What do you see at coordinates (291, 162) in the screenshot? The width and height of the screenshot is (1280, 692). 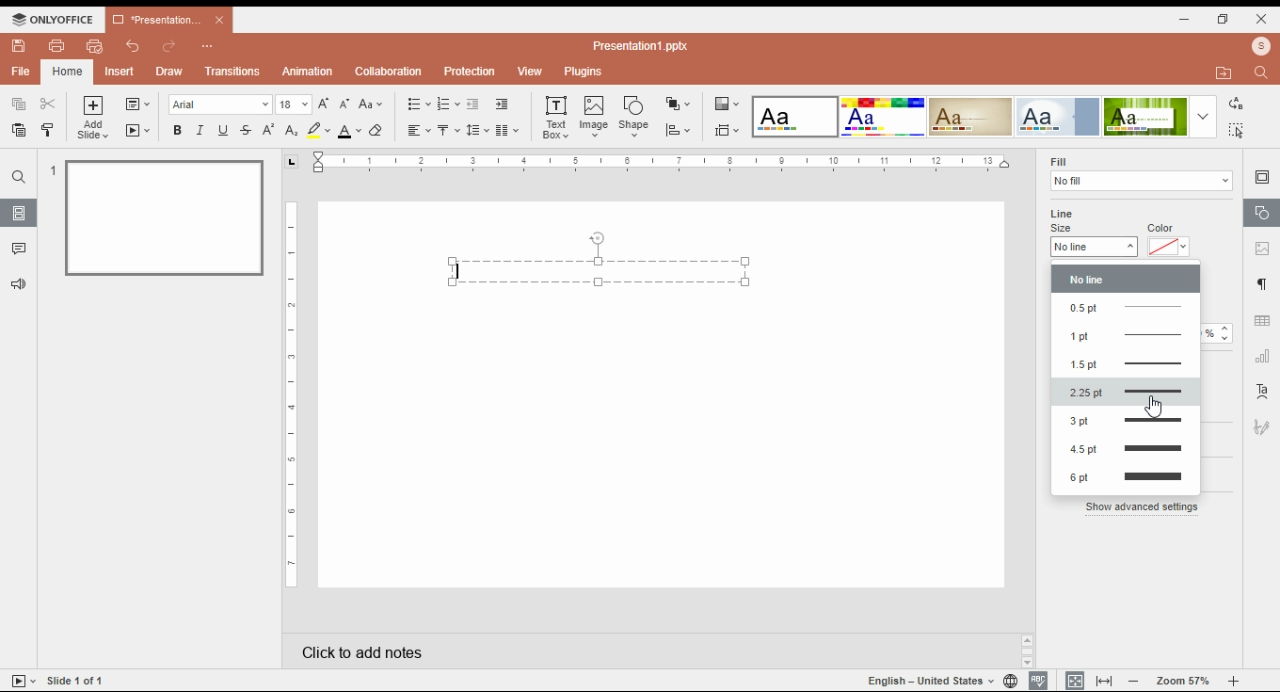 I see `page orientation` at bounding box center [291, 162].